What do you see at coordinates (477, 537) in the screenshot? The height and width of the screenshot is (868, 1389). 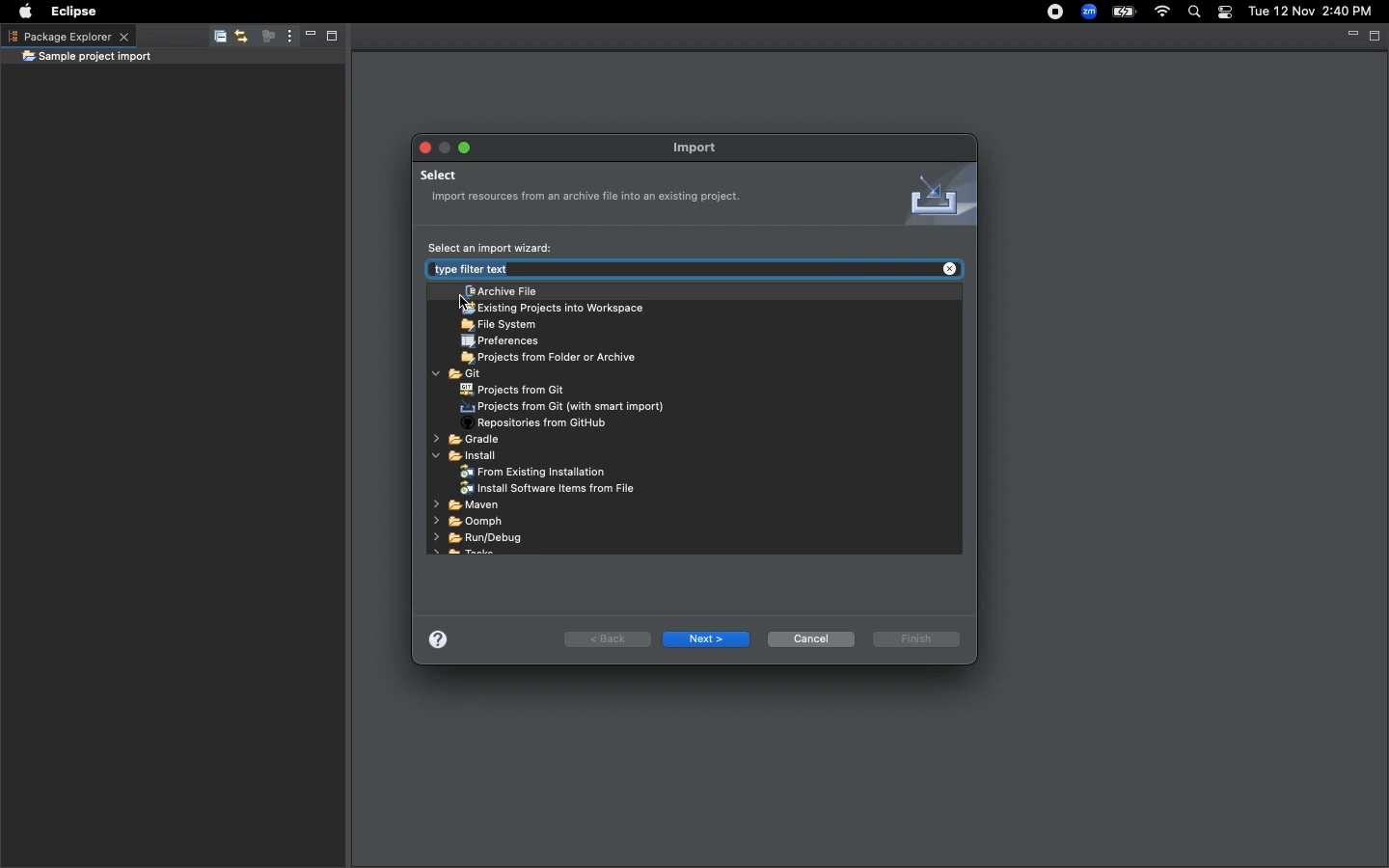 I see `RuryDebug` at bounding box center [477, 537].